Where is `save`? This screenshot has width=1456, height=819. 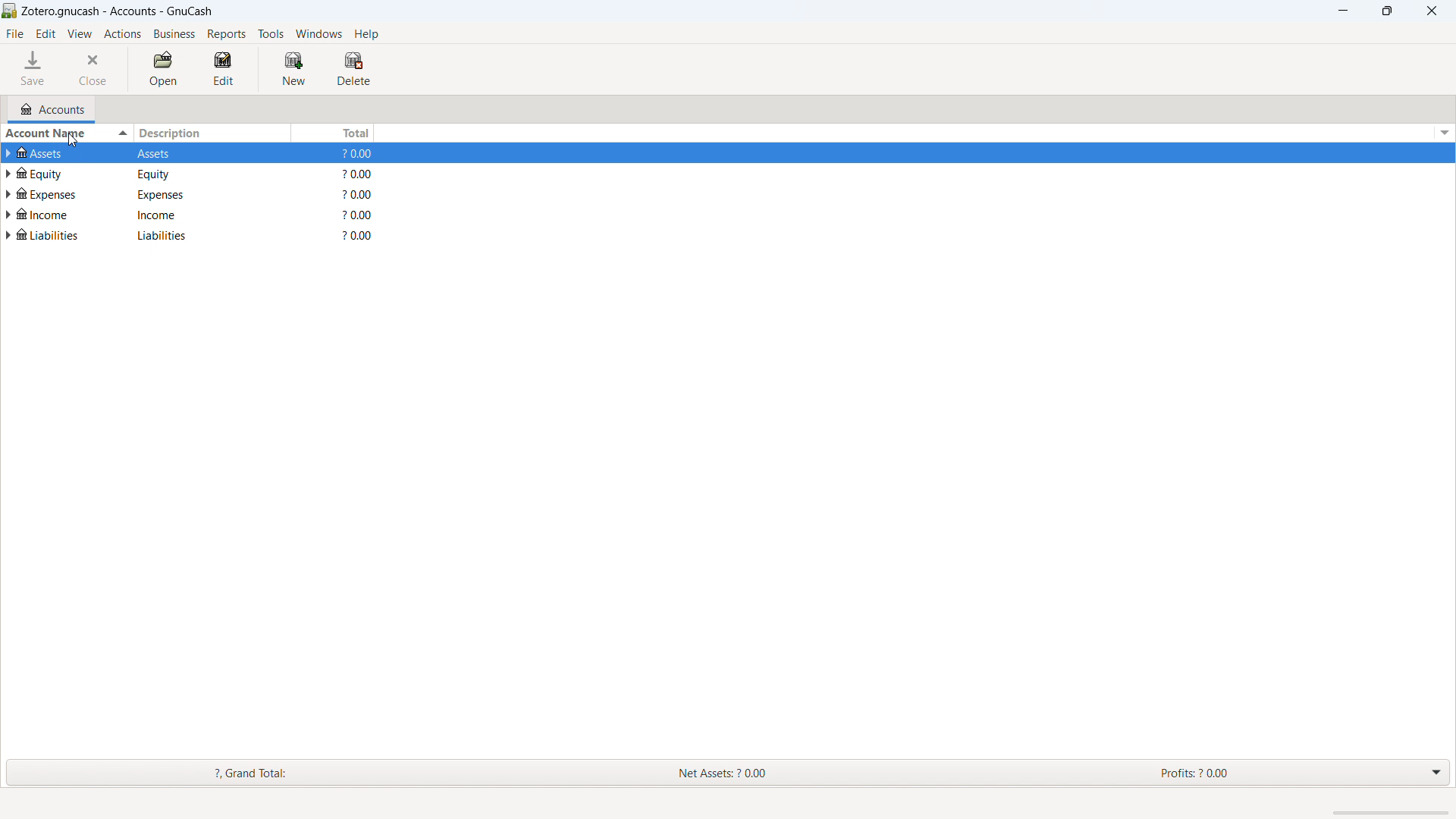
save is located at coordinates (35, 69).